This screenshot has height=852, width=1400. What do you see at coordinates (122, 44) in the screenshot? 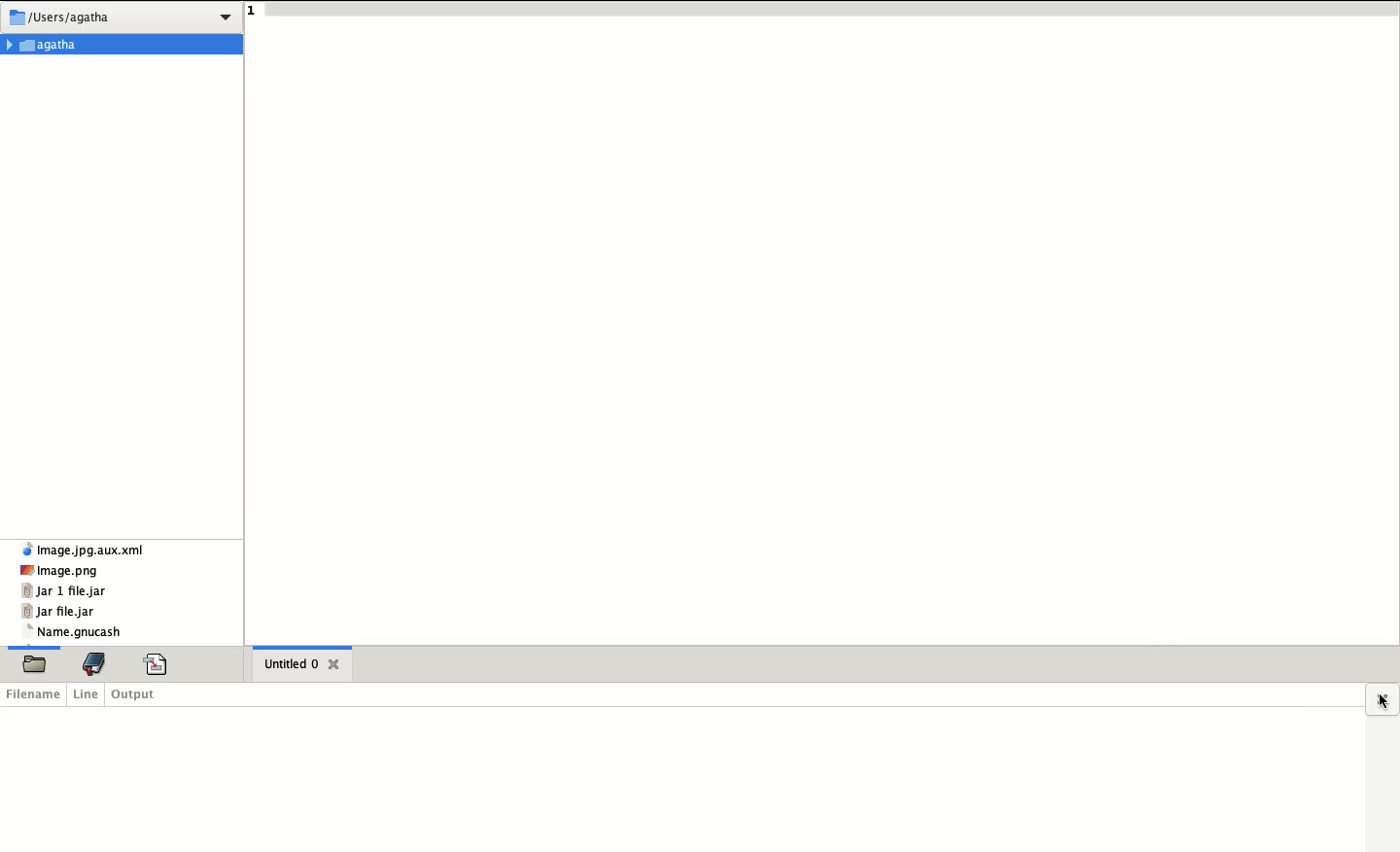
I see `Agatha` at bounding box center [122, 44].